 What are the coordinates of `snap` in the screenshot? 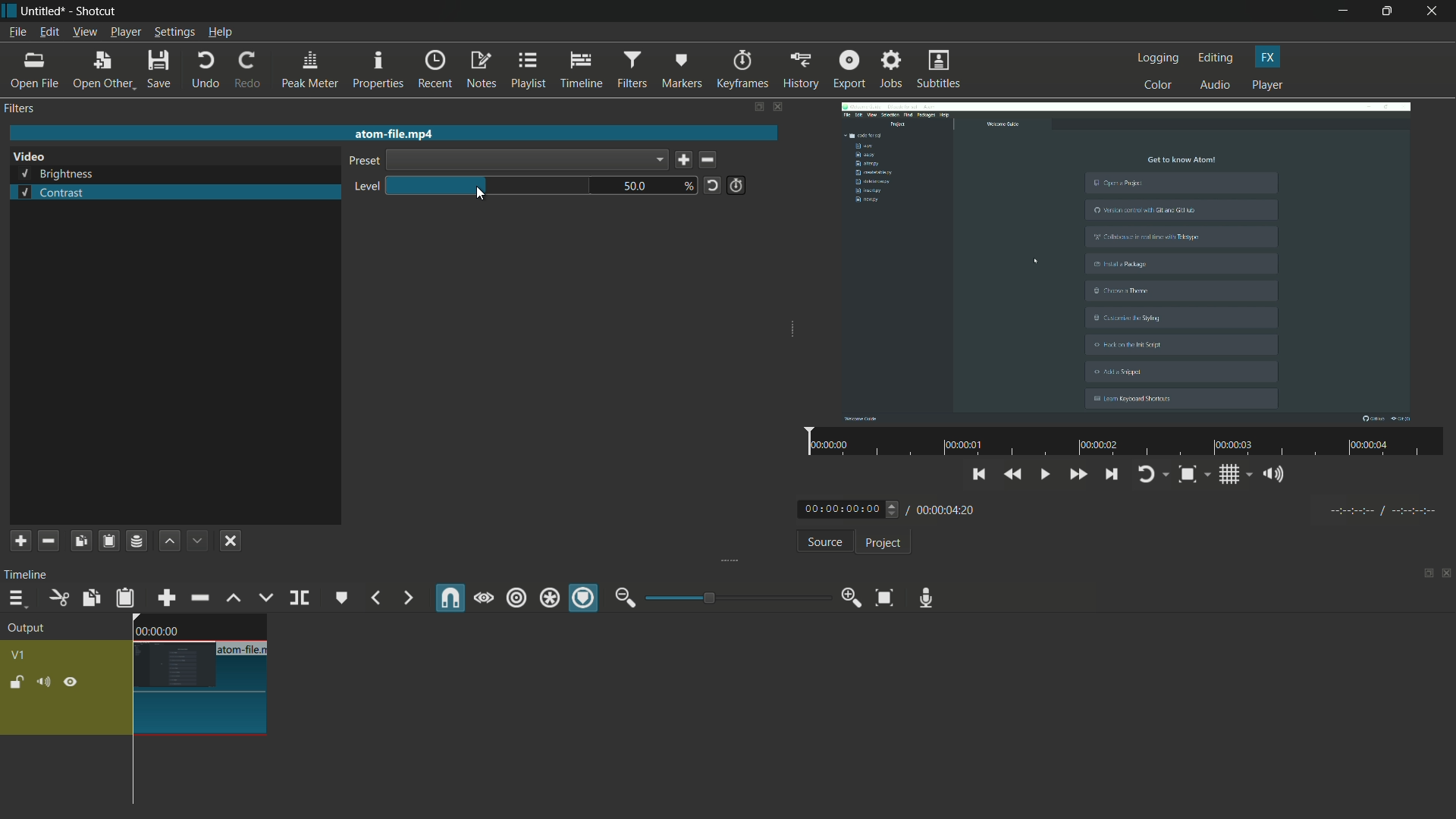 It's located at (451, 598).